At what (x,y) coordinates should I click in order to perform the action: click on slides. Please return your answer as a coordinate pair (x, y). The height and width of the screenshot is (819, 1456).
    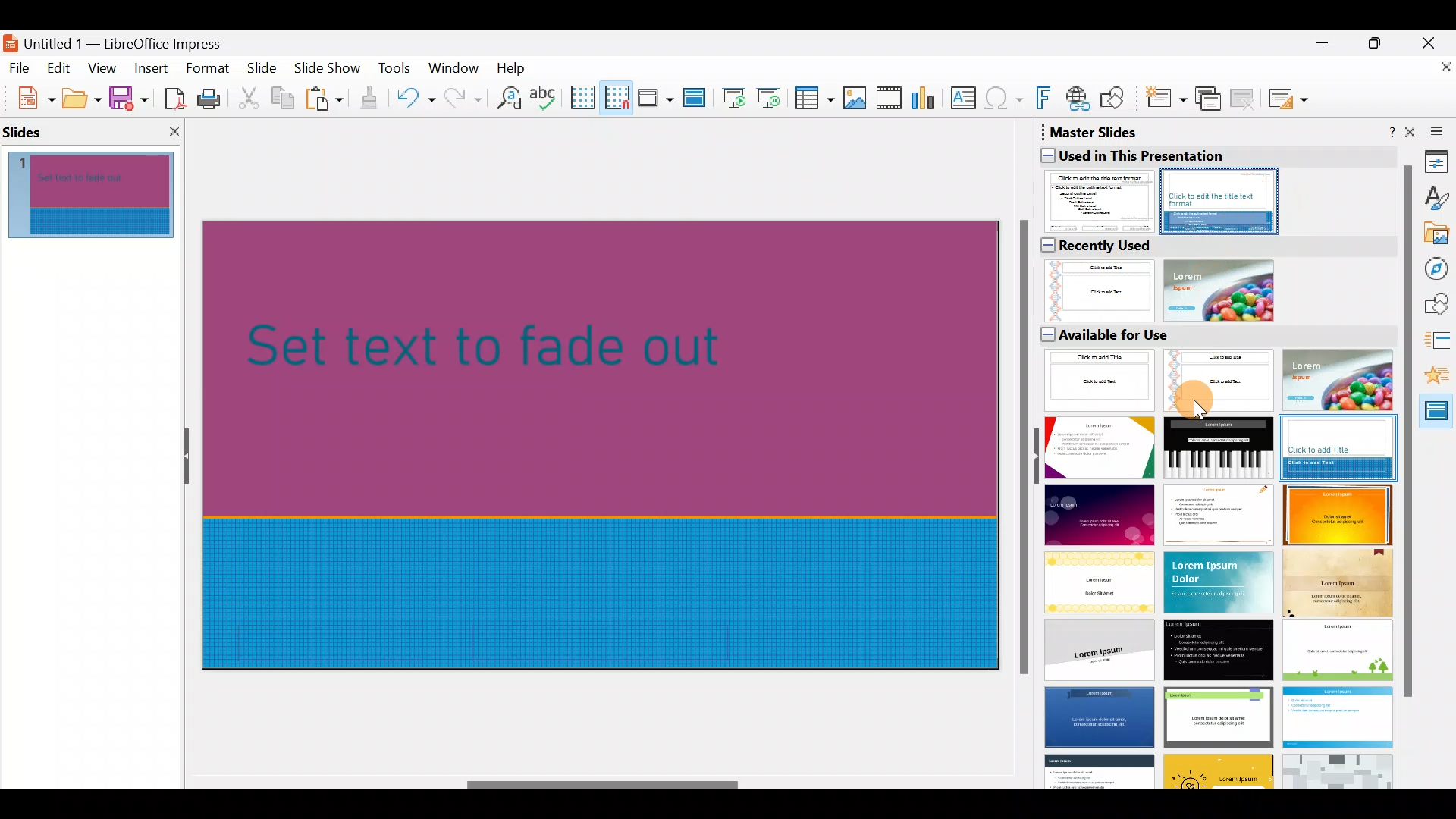
    Looking at the image, I should click on (27, 128).